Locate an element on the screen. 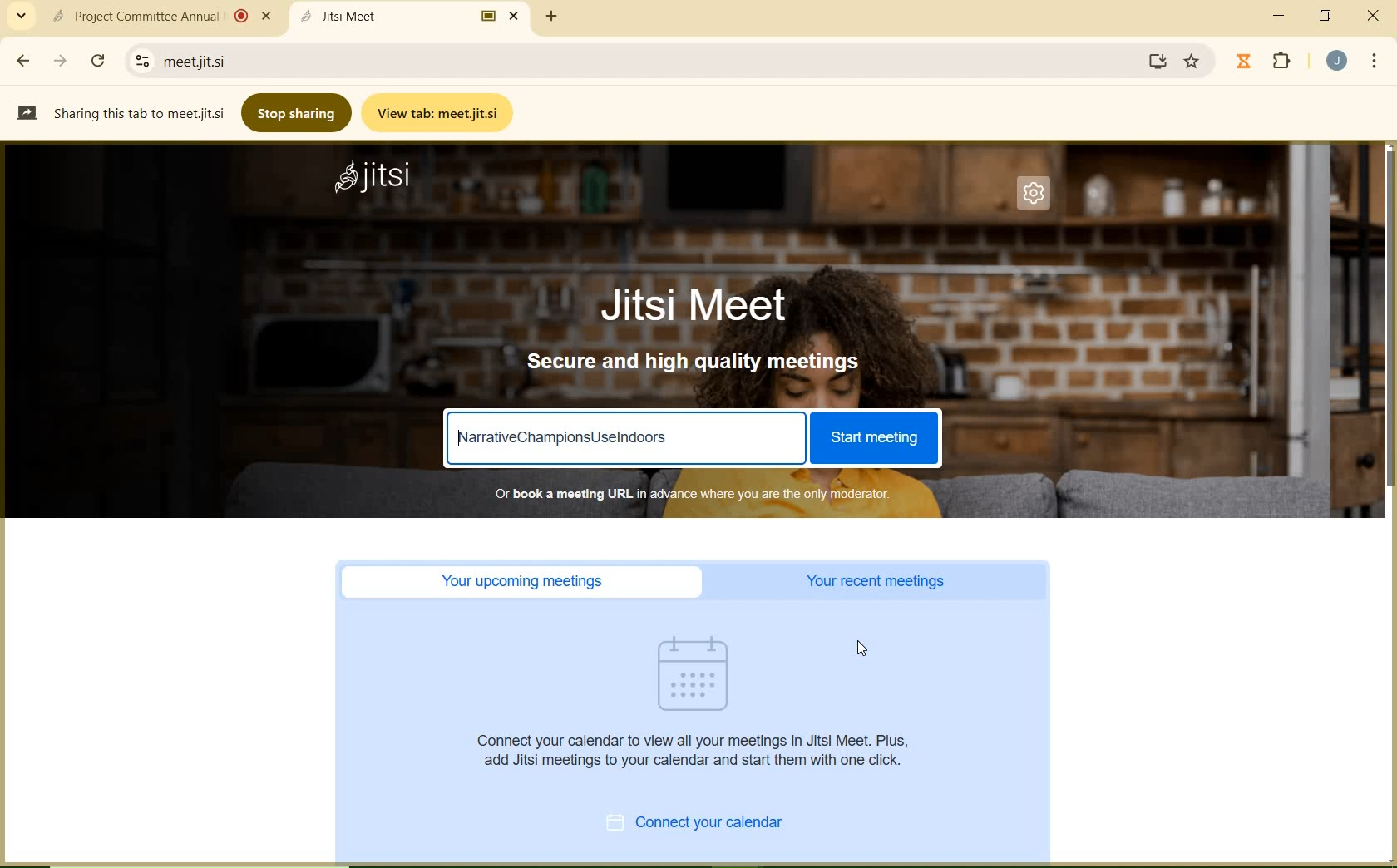  Project Committee Annual is located at coordinates (160, 15).